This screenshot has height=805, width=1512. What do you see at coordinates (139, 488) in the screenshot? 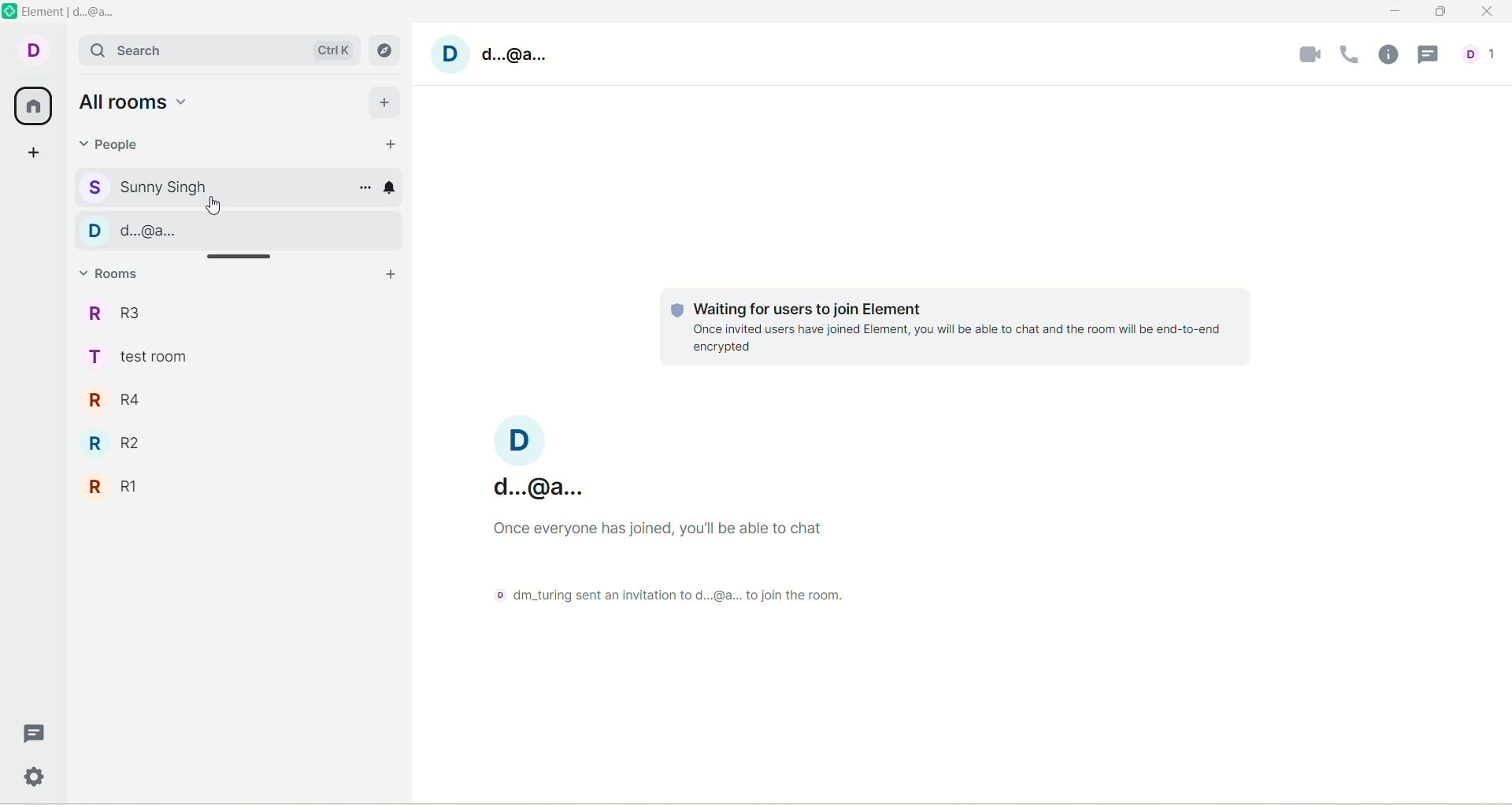
I see `R1` at bounding box center [139, 488].